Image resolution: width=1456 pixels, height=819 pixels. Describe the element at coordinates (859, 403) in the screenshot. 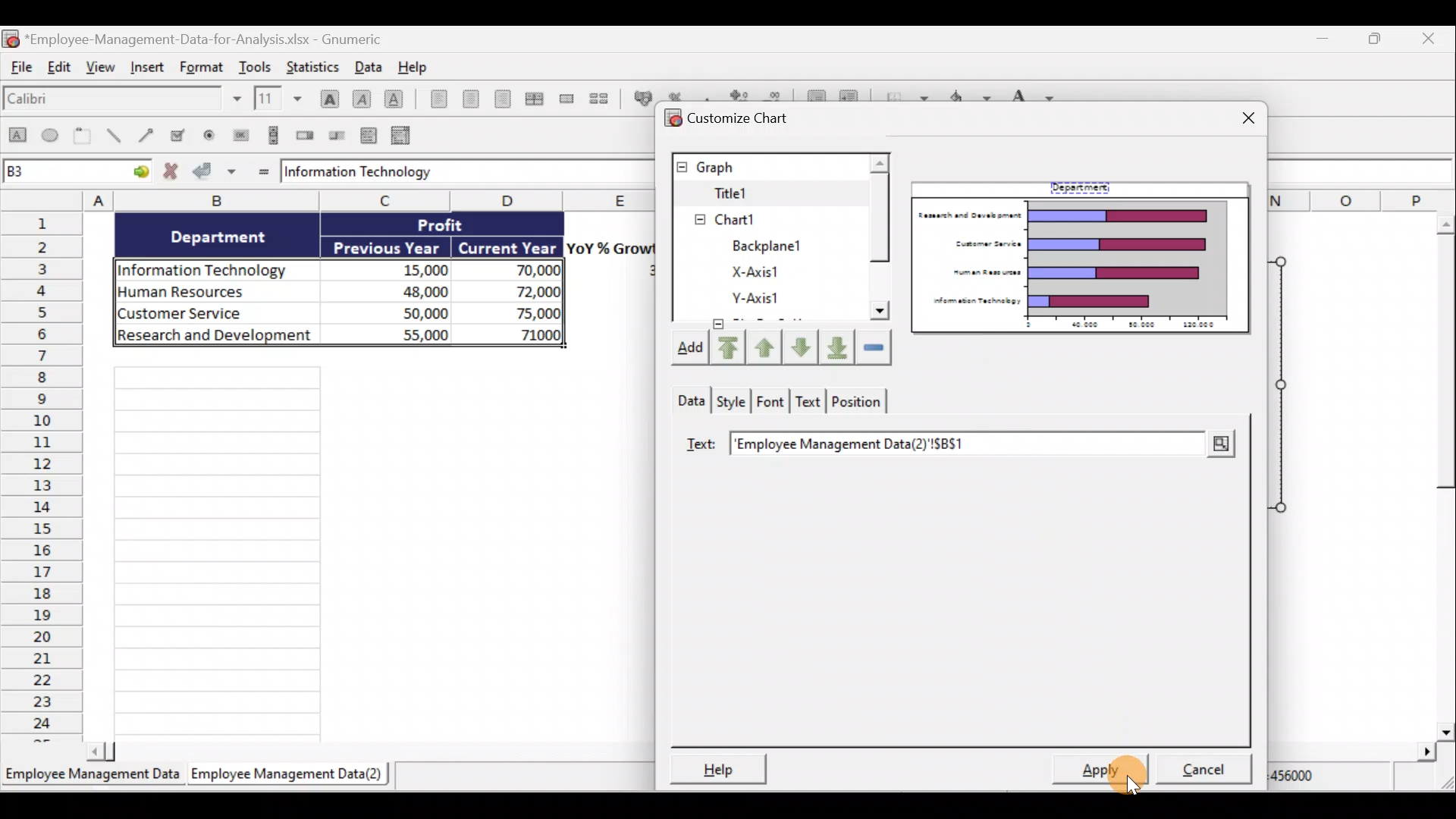

I see `Position` at that location.